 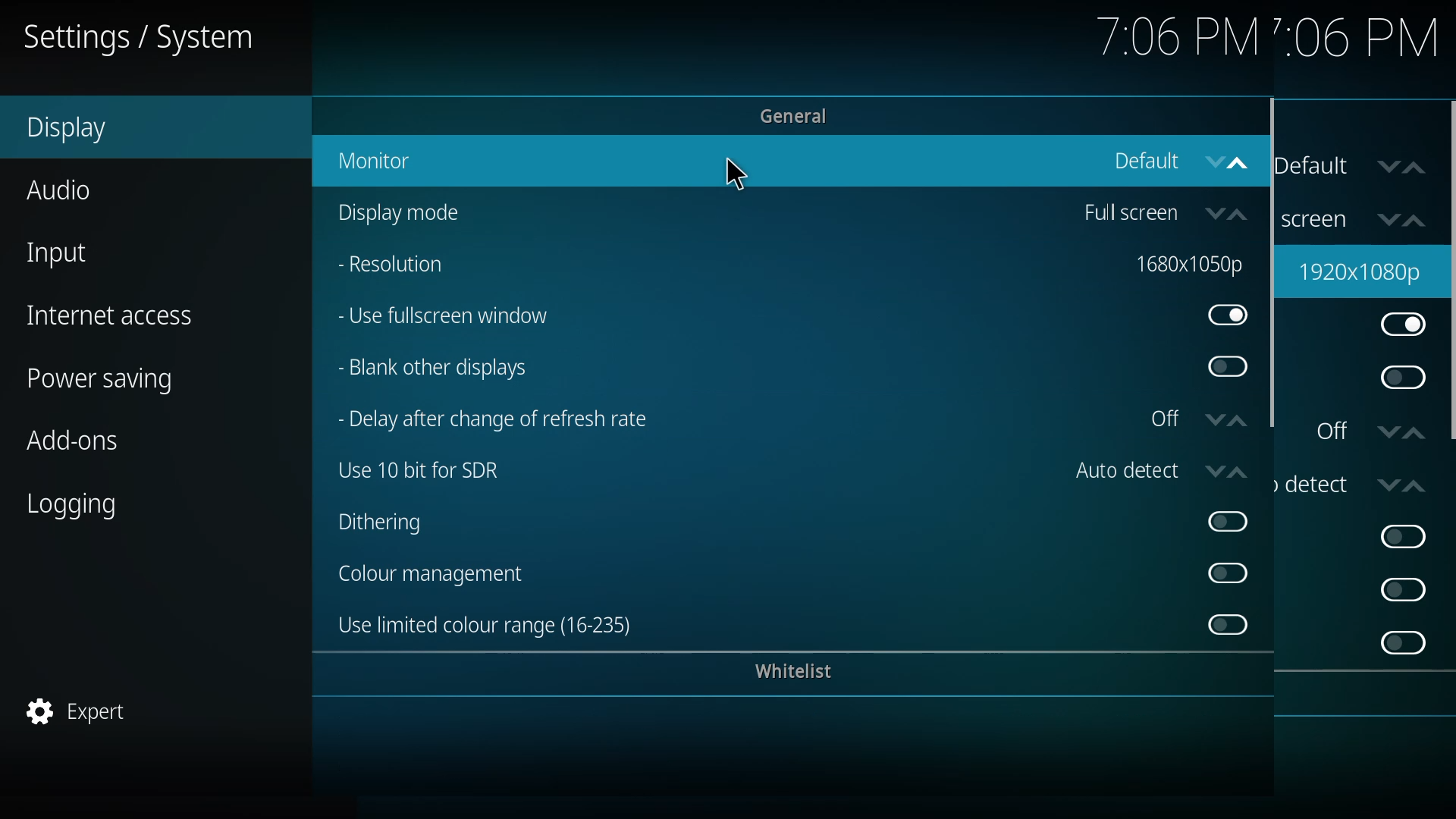 I want to click on scroll bar, so click(x=1451, y=278).